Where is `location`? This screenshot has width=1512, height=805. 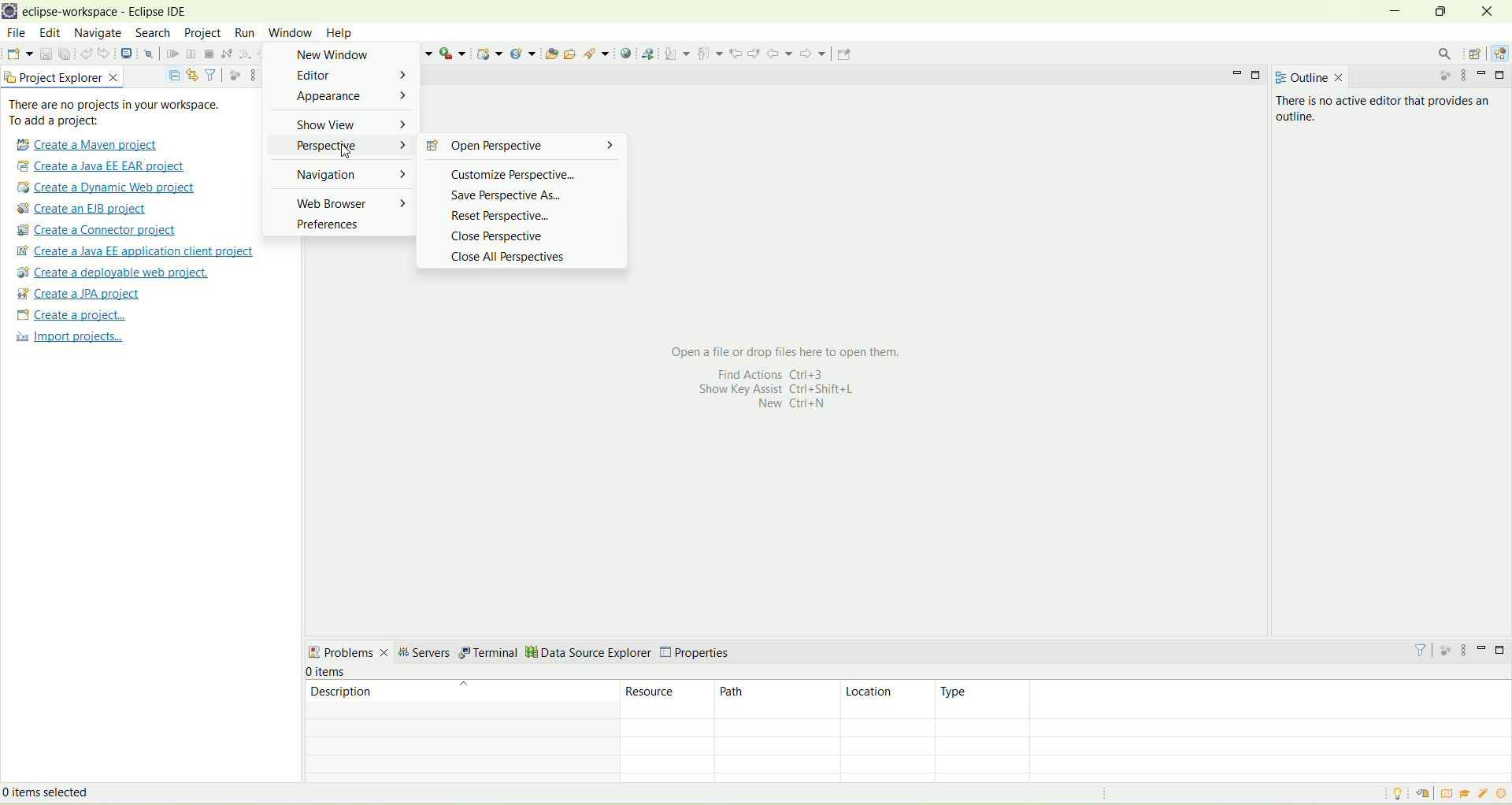
location is located at coordinates (888, 700).